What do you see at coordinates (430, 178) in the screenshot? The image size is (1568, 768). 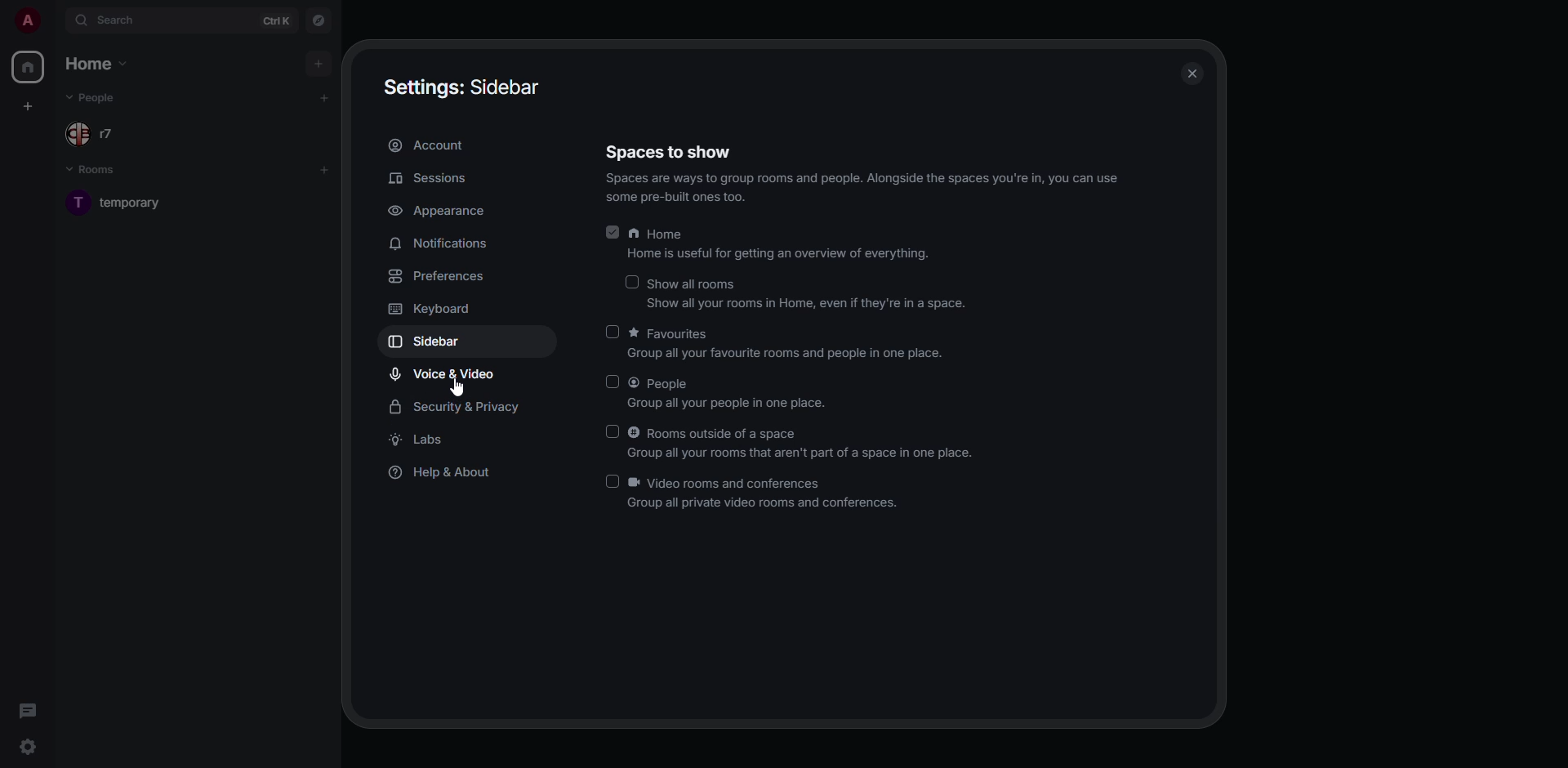 I see `sessions` at bounding box center [430, 178].